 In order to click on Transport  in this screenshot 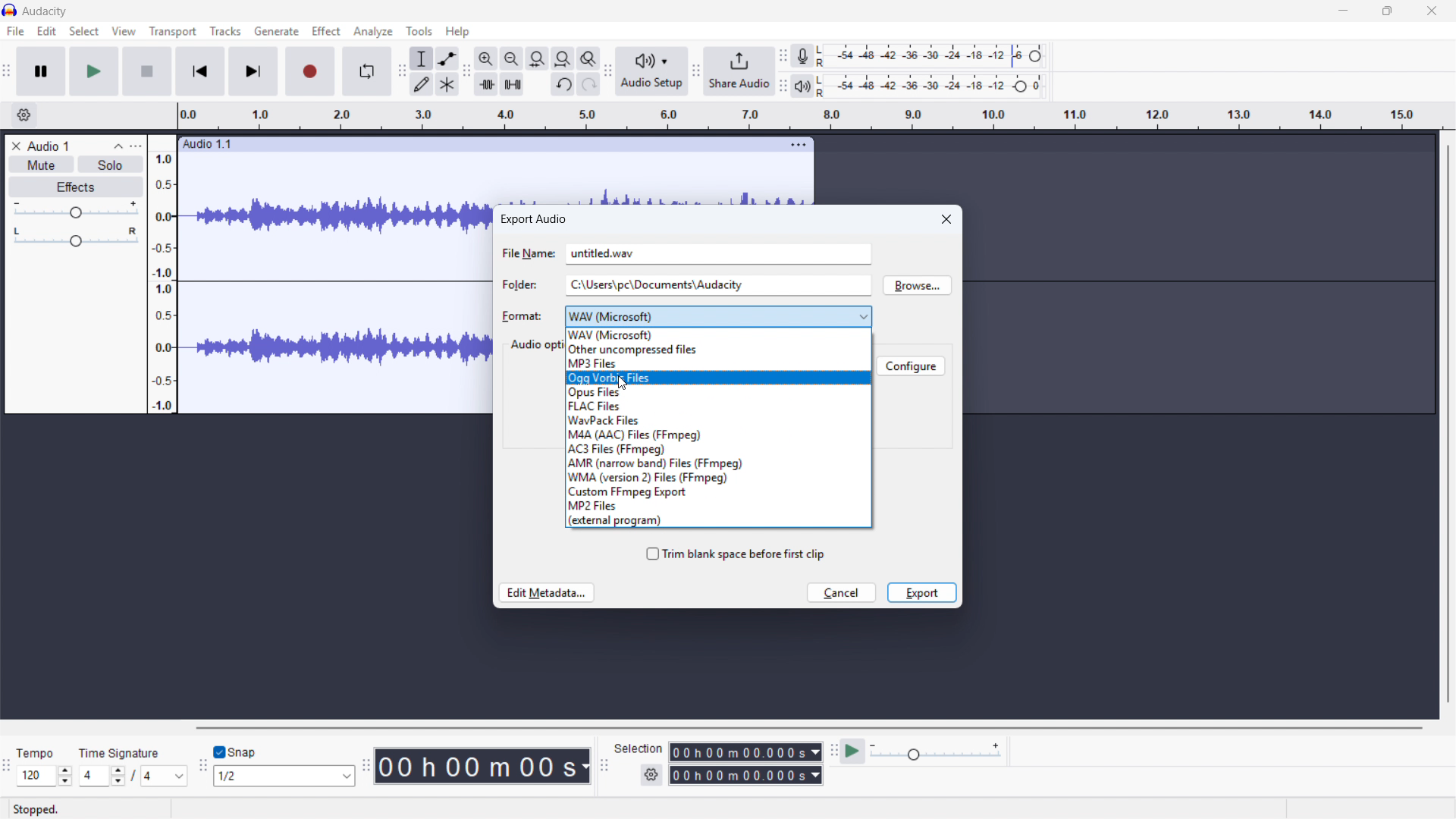, I will do `click(173, 32)`.